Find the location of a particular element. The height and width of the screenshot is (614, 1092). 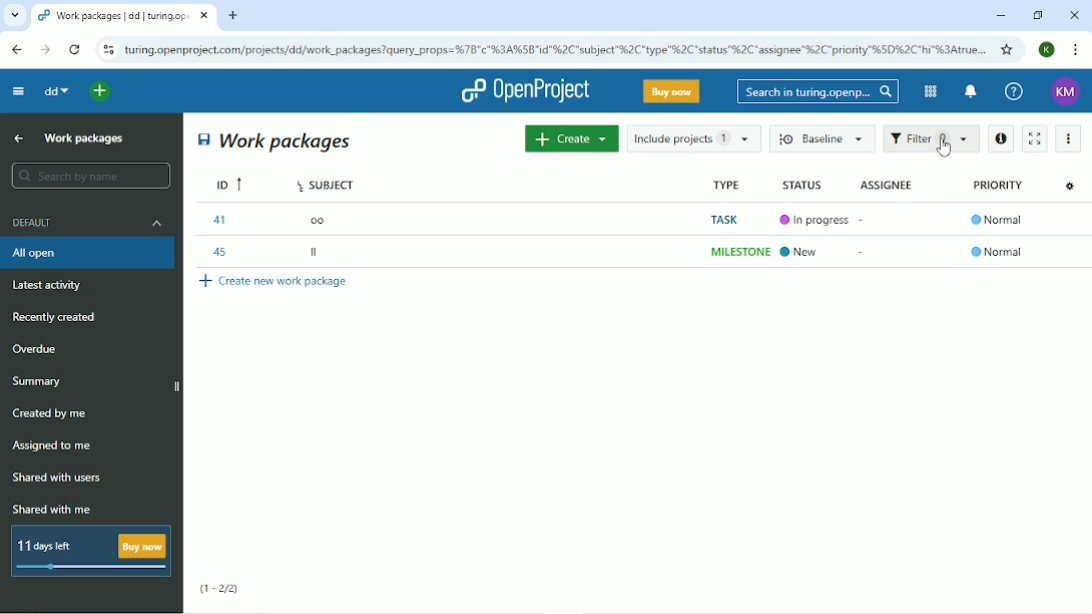

Open details view is located at coordinates (1000, 139).